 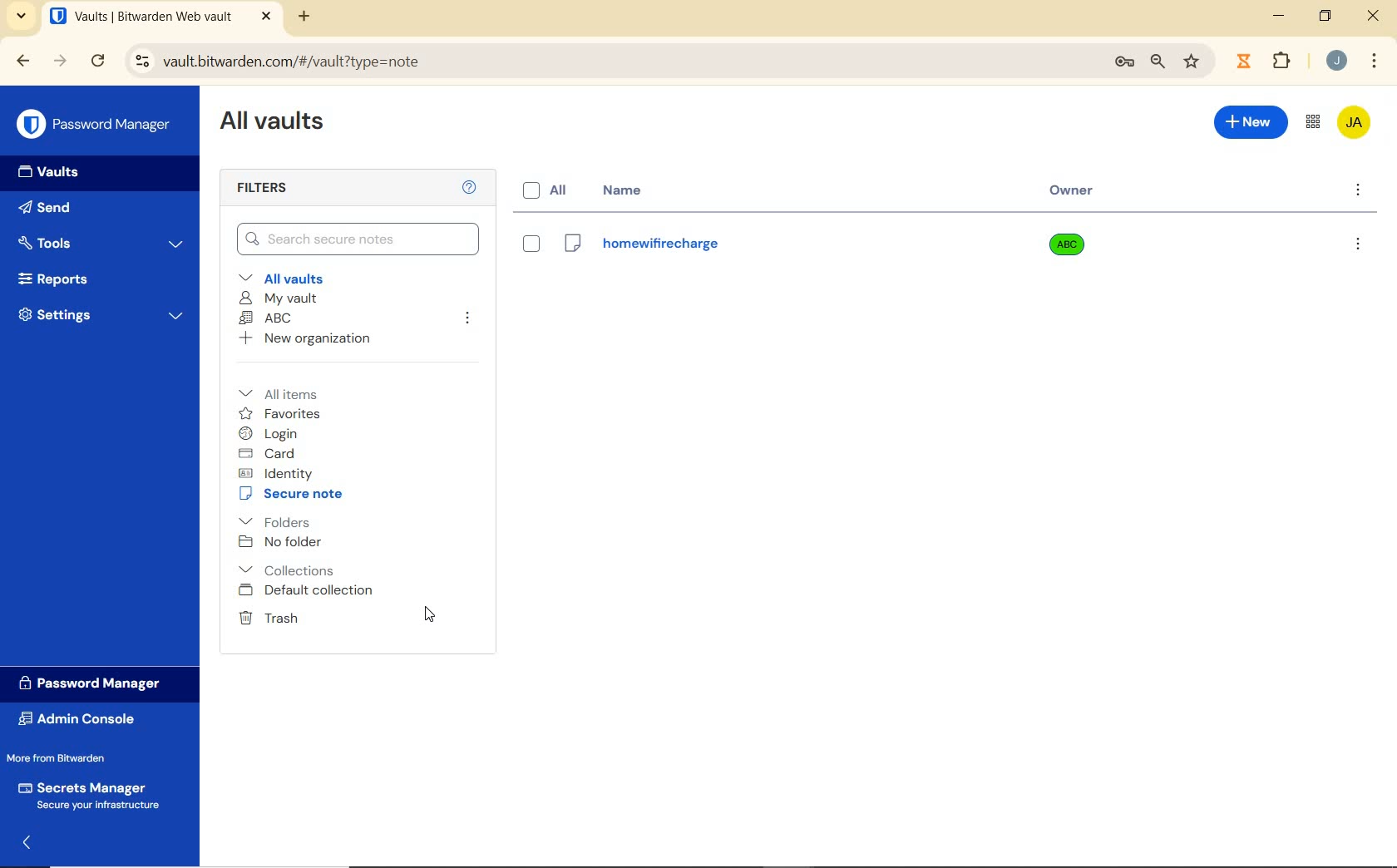 What do you see at coordinates (1279, 15) in the screenshot?
I see `minimize` at bounding box center [1279, 15].